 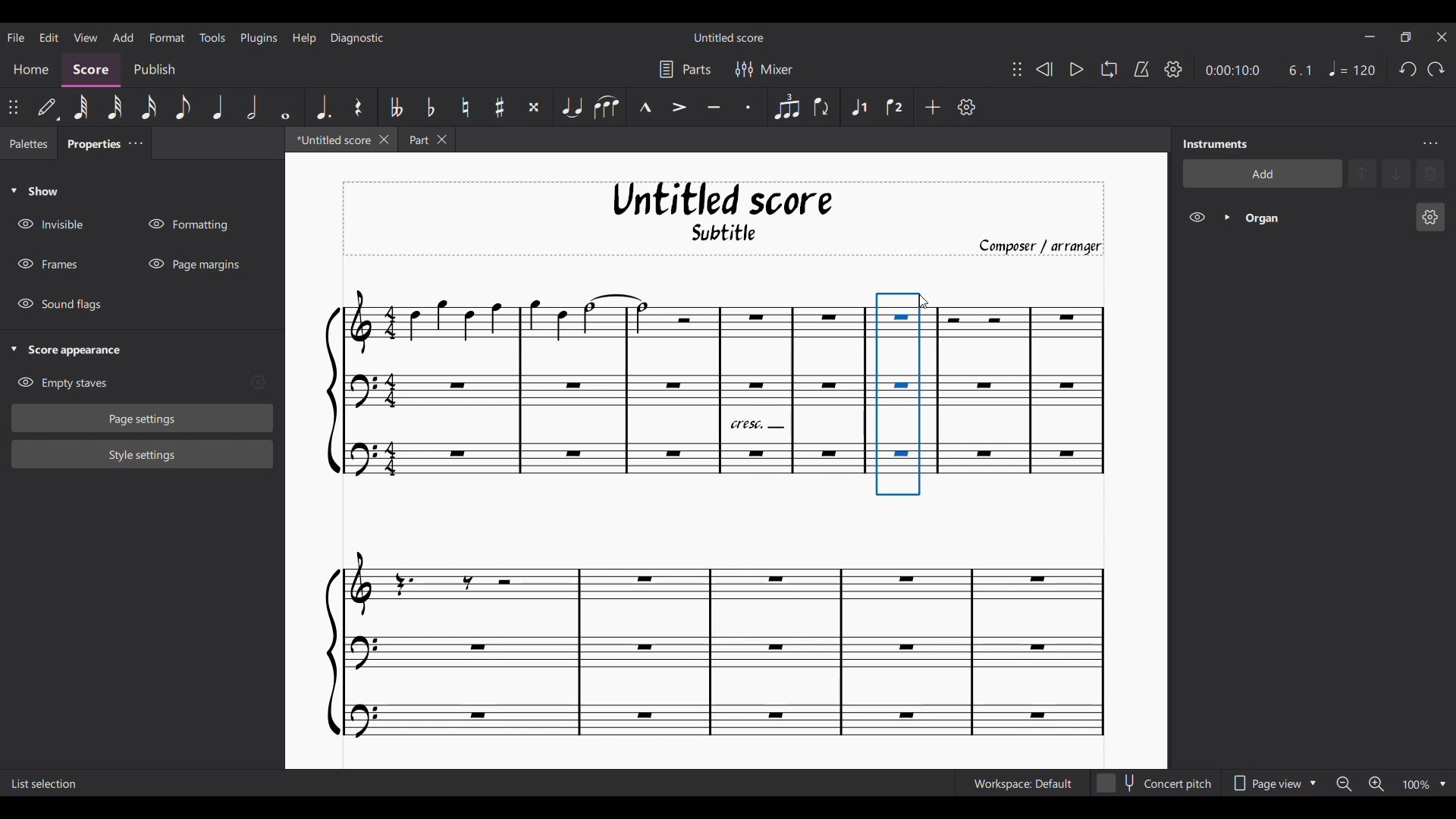 I want to click on Looping playback , so click(x=1109, y=69).